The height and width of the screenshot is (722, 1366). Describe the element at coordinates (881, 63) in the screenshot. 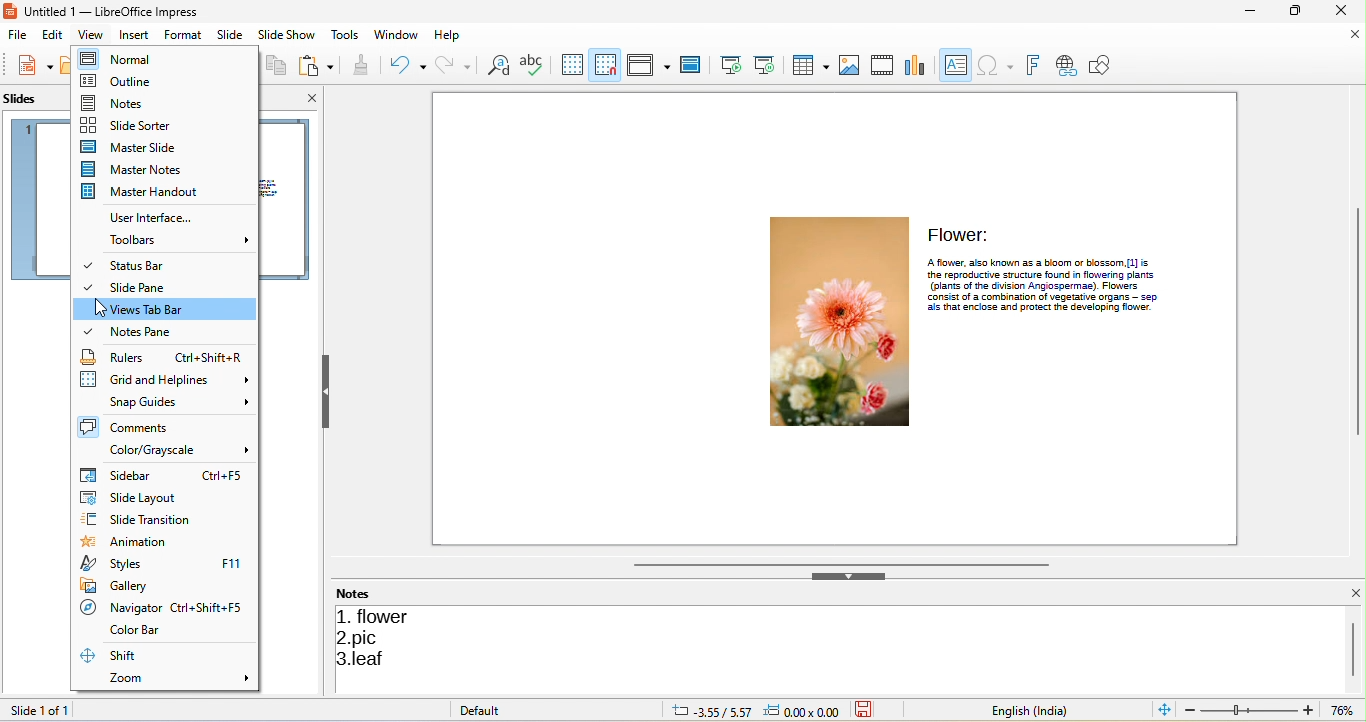

I see `video/audio` at that location.